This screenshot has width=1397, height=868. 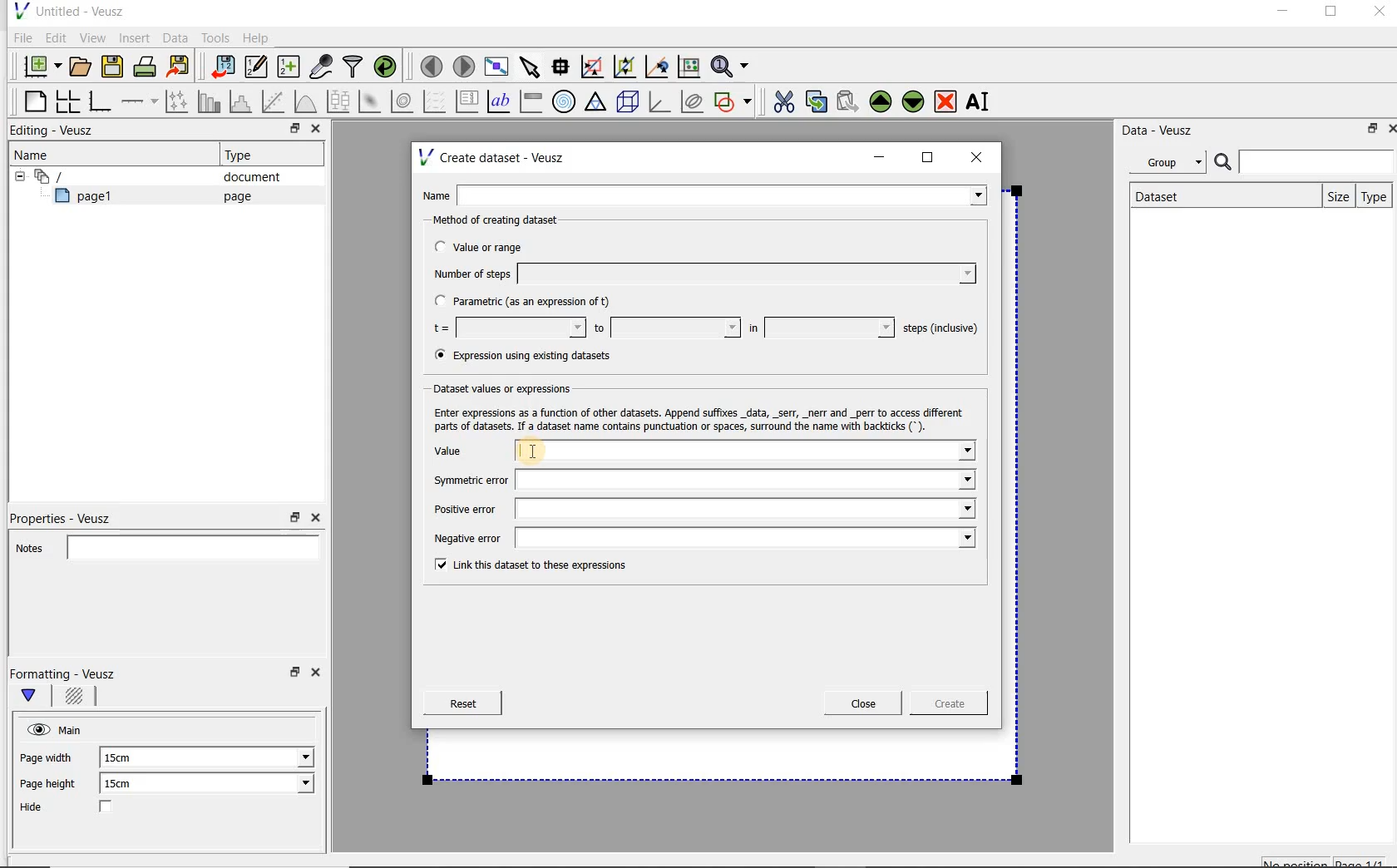 What do you see at coordinates (530, 302) in the screenshot?
I see `Parametric (as an expression of t)` at bounding box center [530, 302].